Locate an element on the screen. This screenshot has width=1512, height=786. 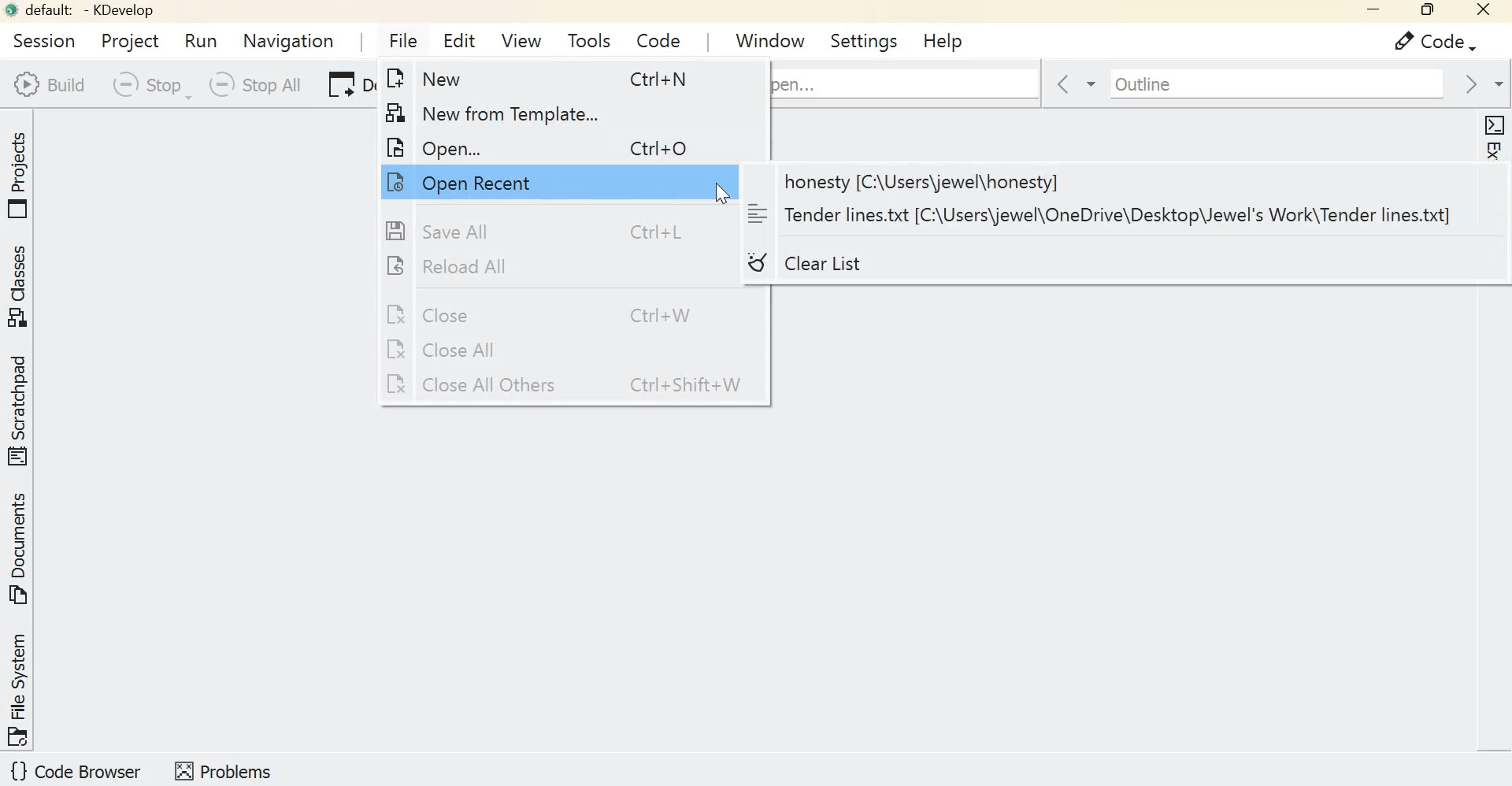
Toggle 'Documents' tool view is located at coordinates (21, 550).